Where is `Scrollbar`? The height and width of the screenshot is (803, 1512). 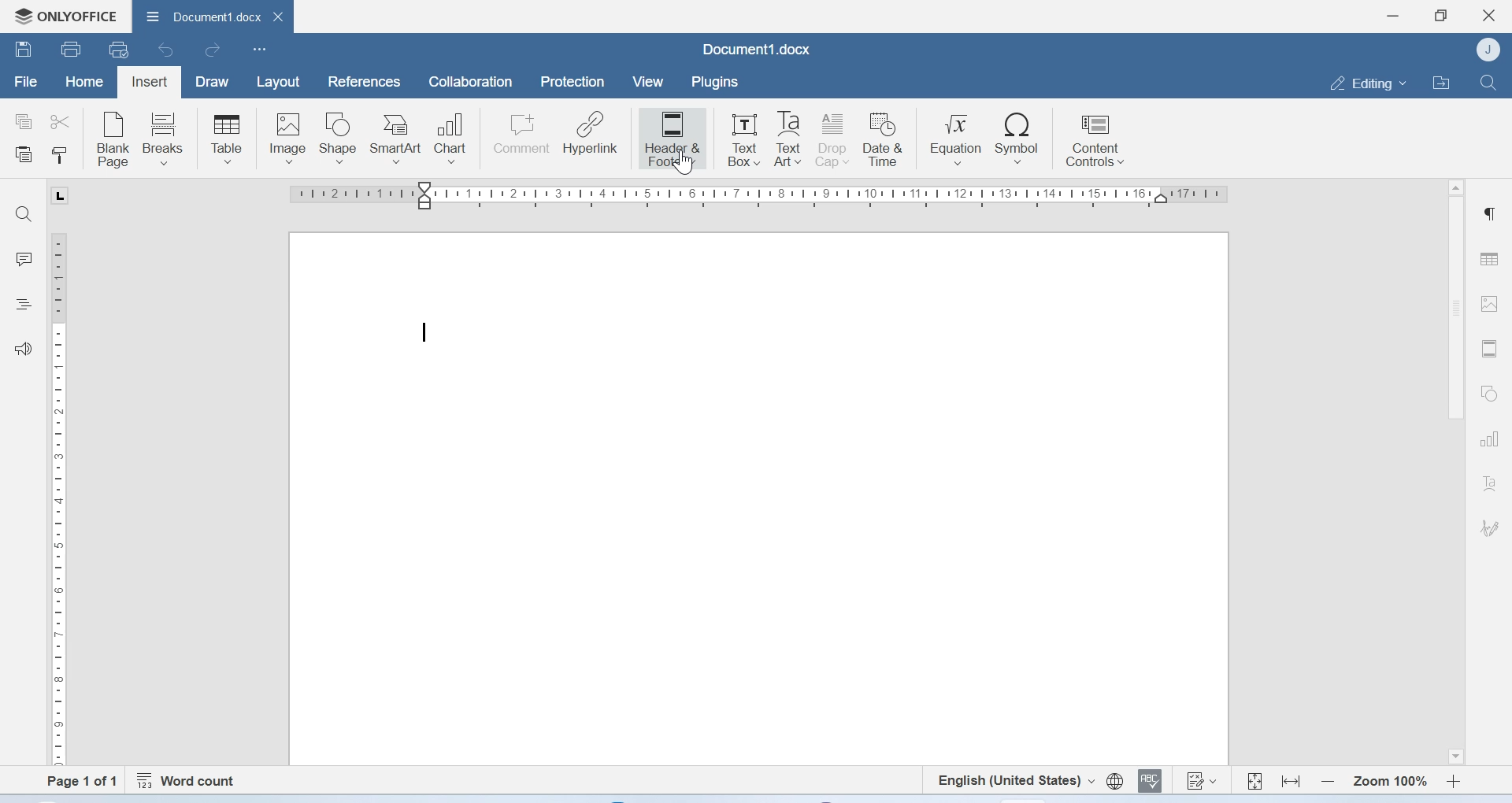 Scrollbar is located at coordinates (1451, 314).